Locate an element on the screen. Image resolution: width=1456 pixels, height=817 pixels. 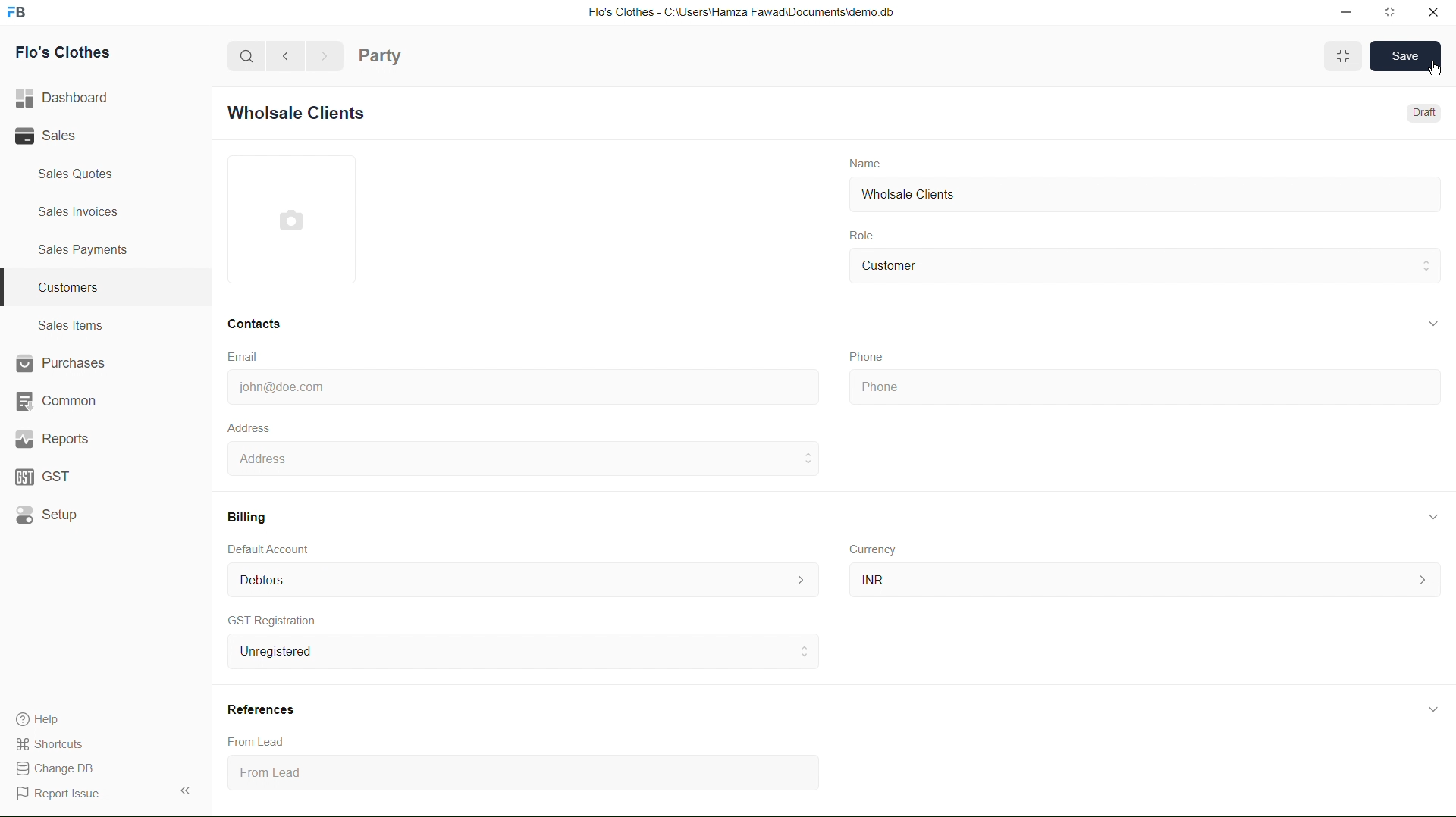
john@doe.com is located at coordinates (282, 387).